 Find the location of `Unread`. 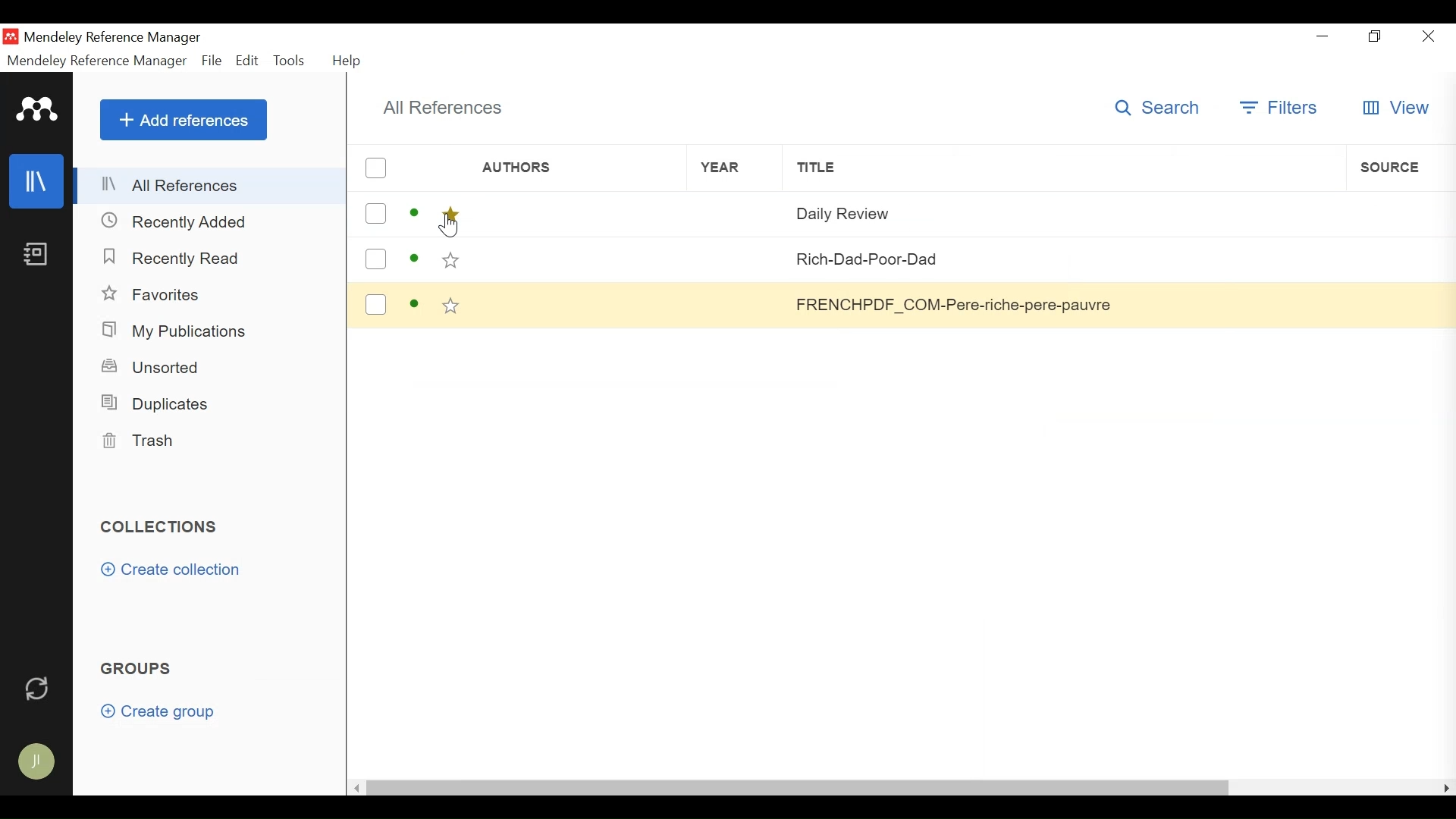

Unread is located at coordinates (414, 304).